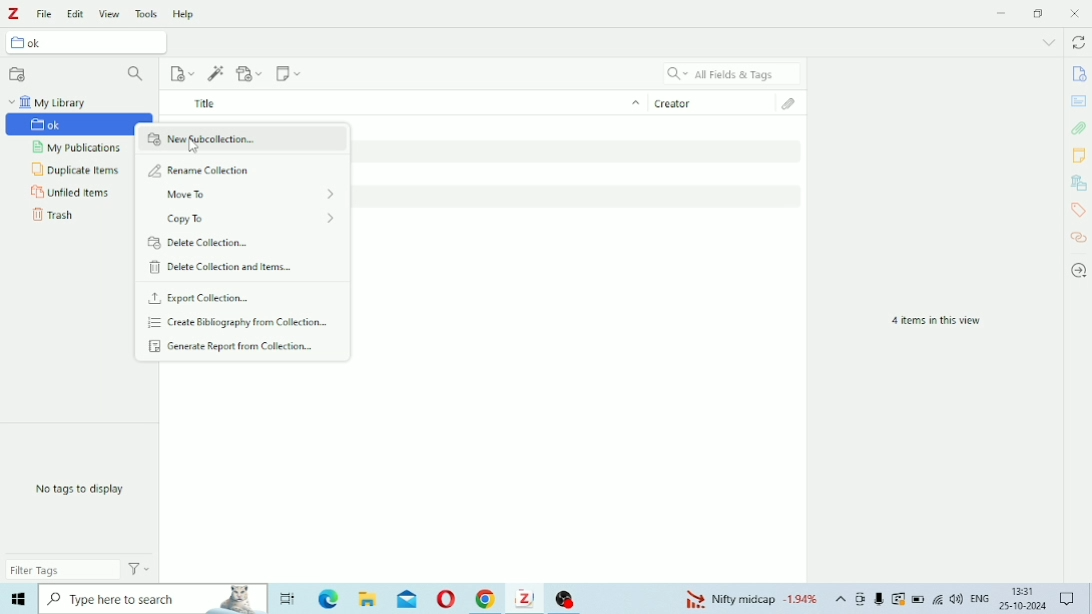 The width and height of the screenshot is (1092, 614). What do you see at coordinates (49, 102) in the screenshot?
I see `My Library` at bounding box center [49, 102].